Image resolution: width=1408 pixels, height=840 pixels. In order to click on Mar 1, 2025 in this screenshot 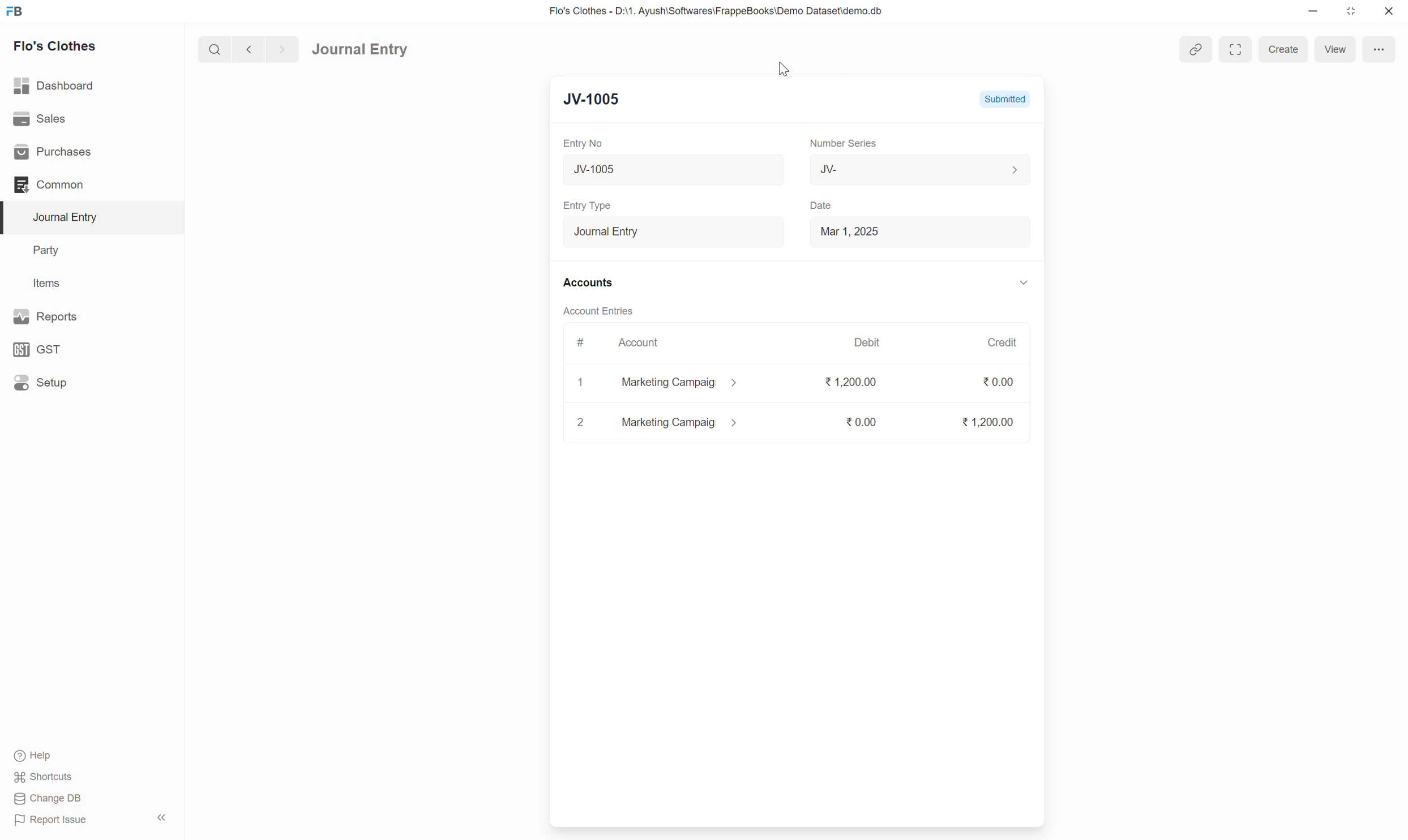, I will do `click(850, 231)`.